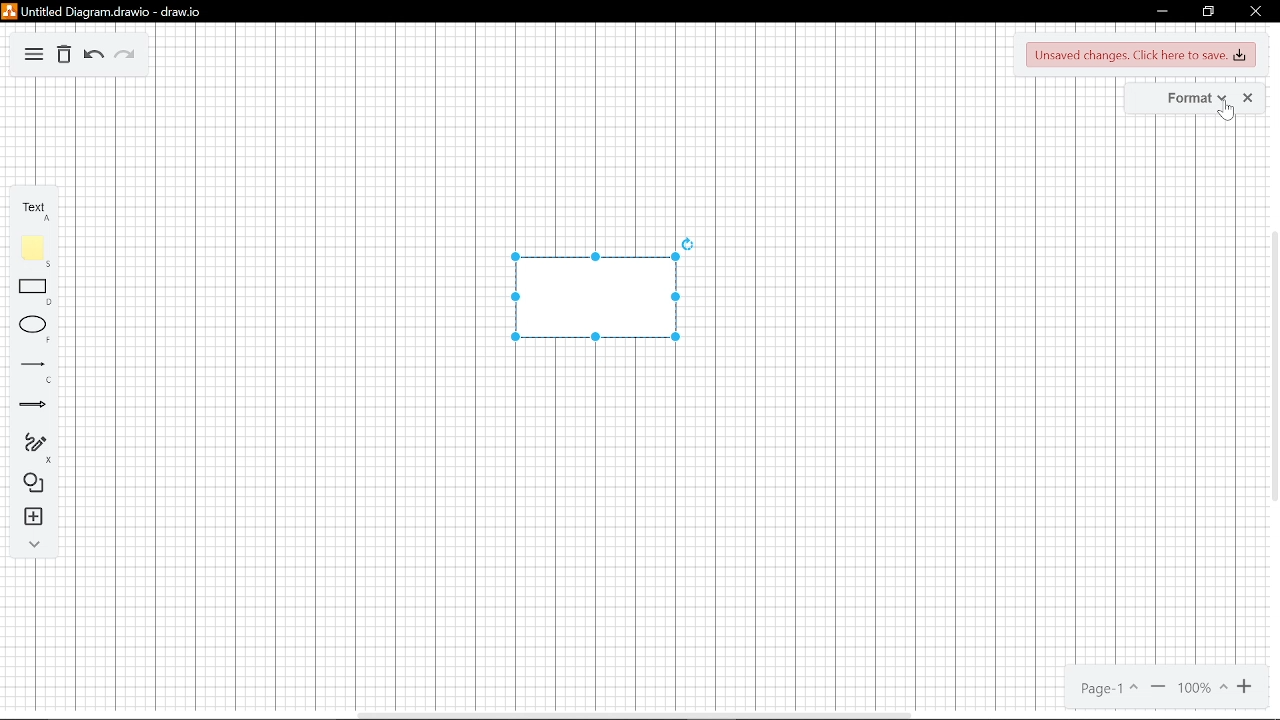 The image size is (1280, 720). What do you see at coordinates (1255, 11) in the screenshot?
I see `close` at bounding box center [1255, 11].